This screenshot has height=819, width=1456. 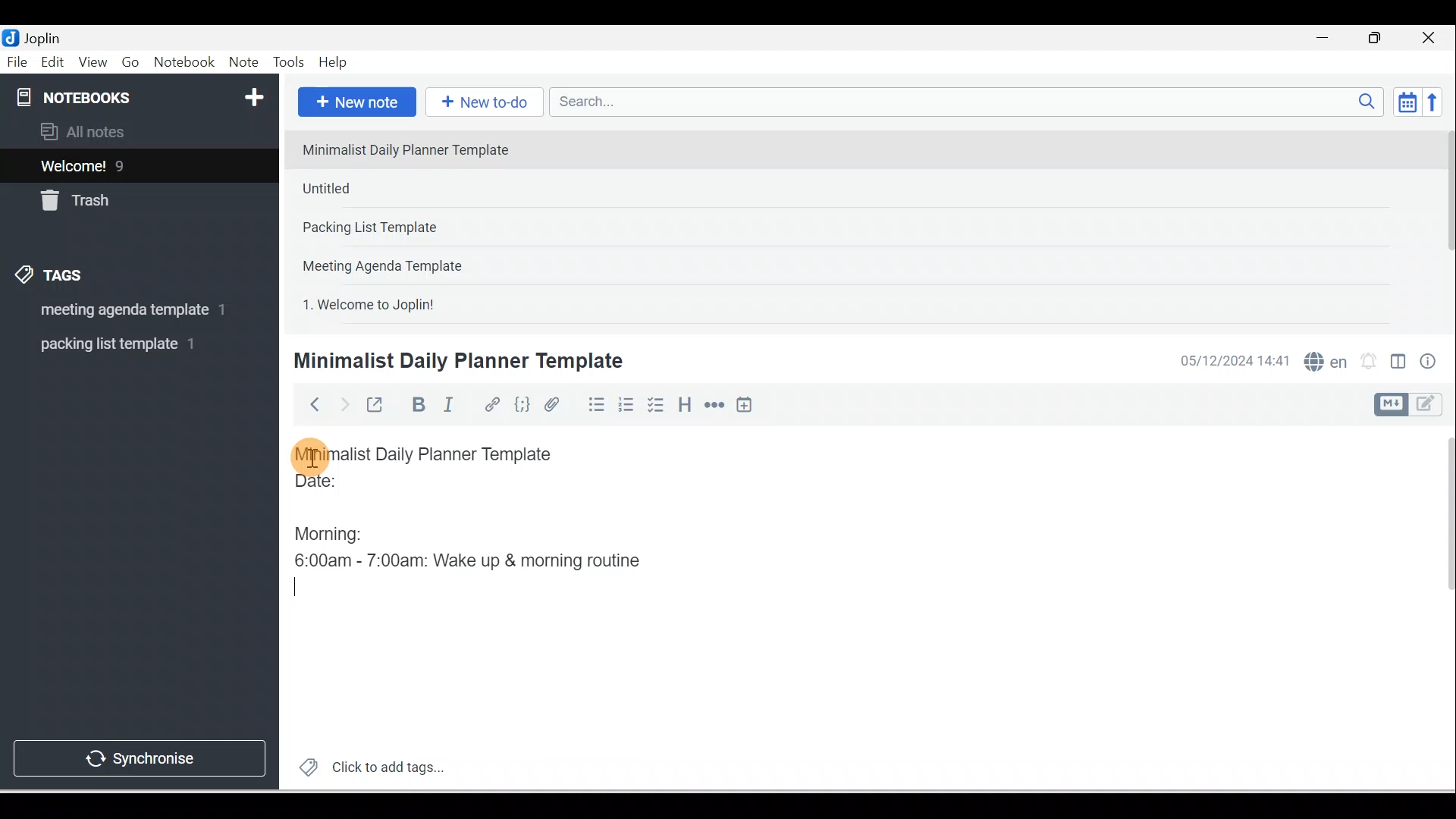 What do you see at coordinates (438, 454) in the screenshot?
I see `Minimalist Daily Planner Template` at bounding box center [438, 454].